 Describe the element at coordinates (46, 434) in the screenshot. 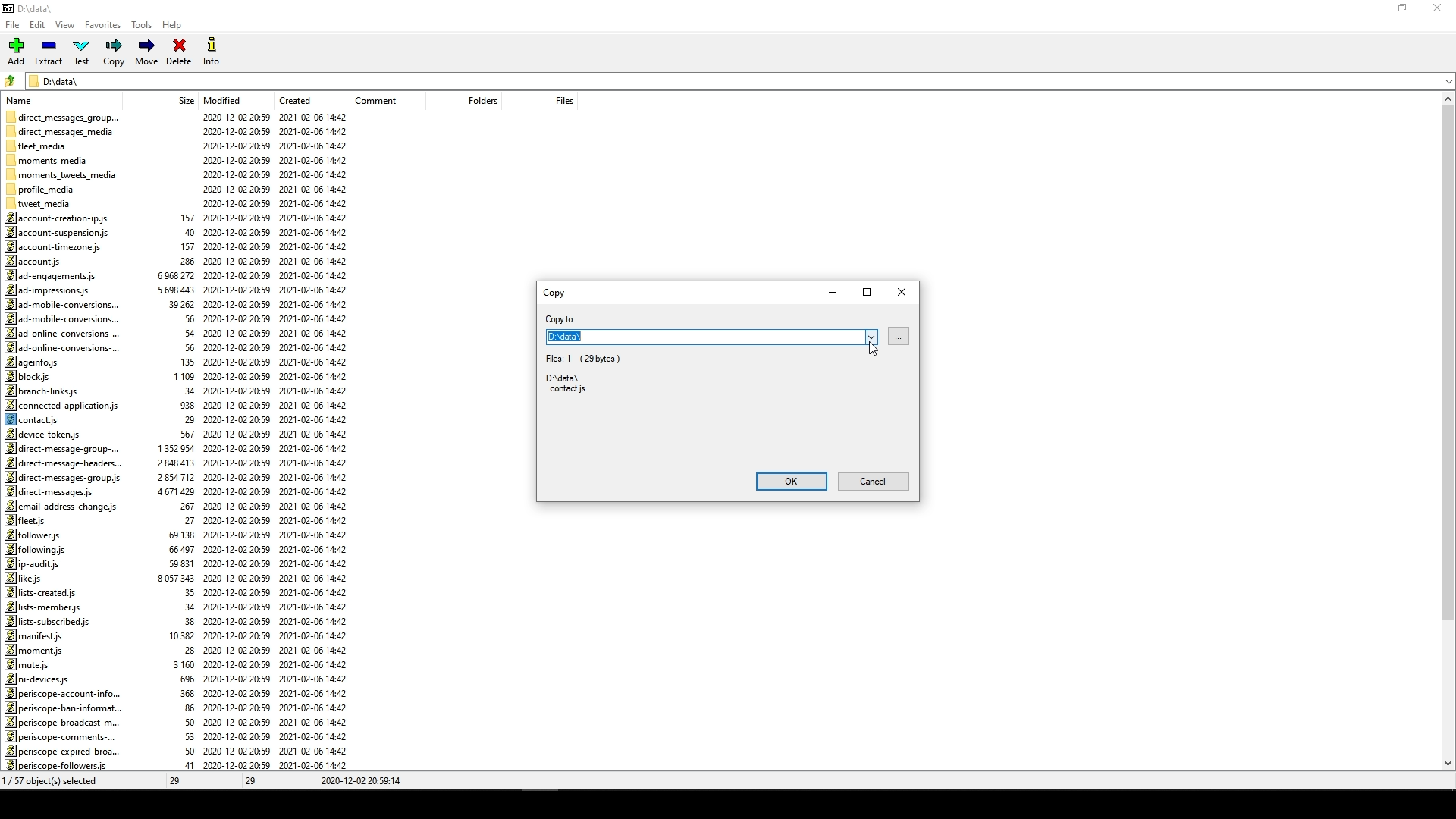

I see `device-token.js` at that location.